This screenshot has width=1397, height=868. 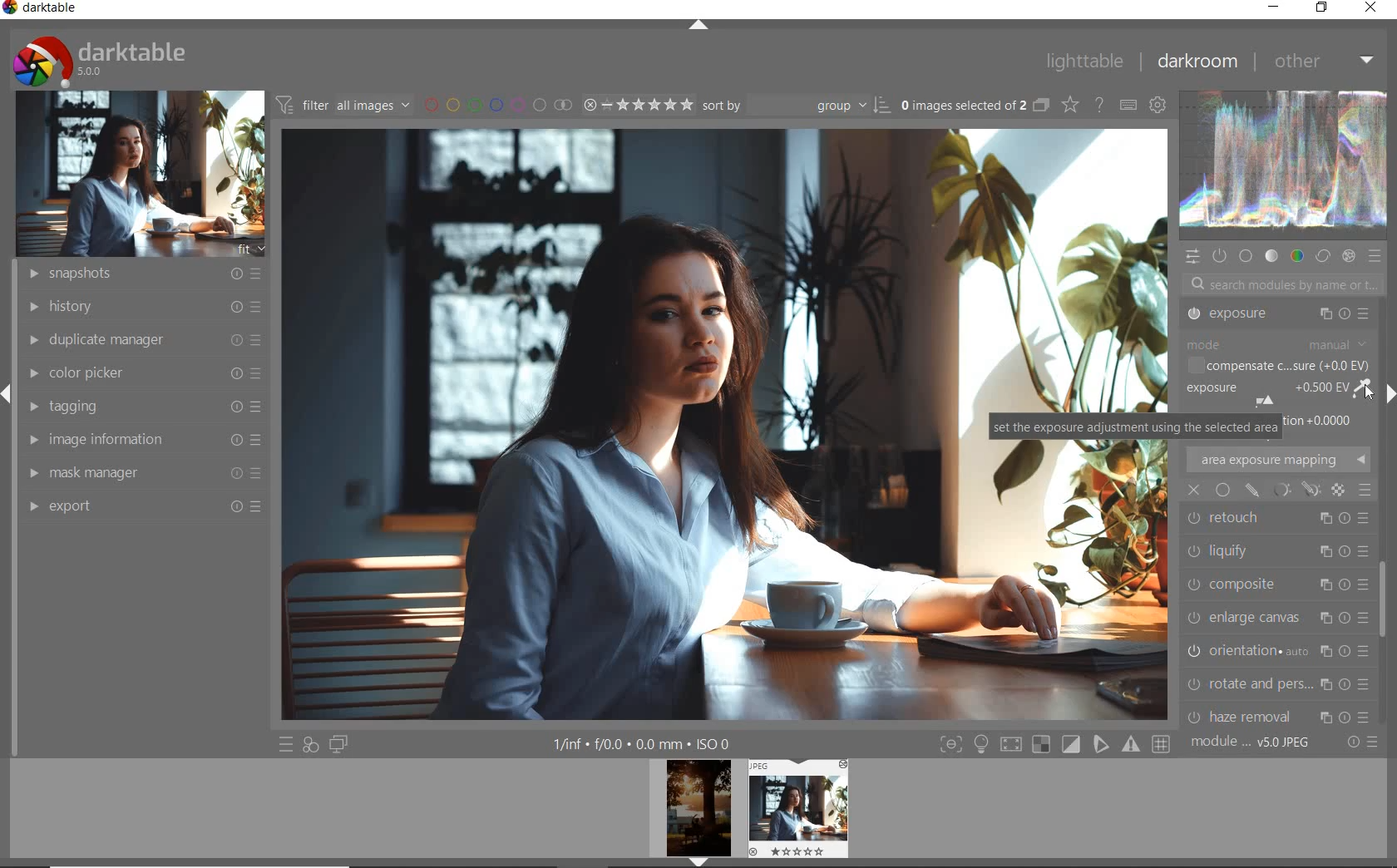 I want to click on SELECTED IMAGE, so click(x=632, y=426).